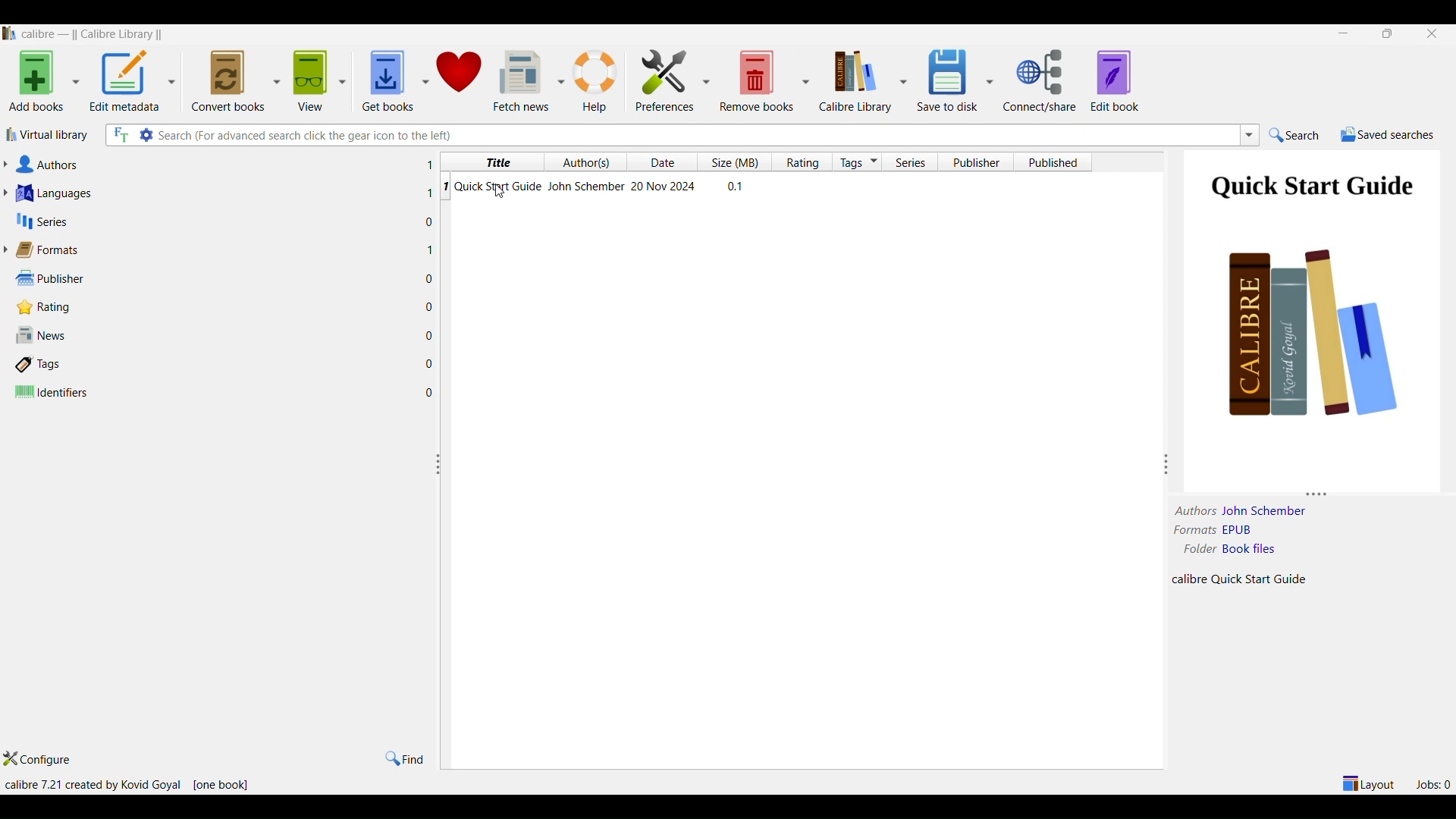 This screenshot has height=819, width=1456. Describe the element at coordinates (52, 134) in the screenshot. I see `virtual library` at that location.